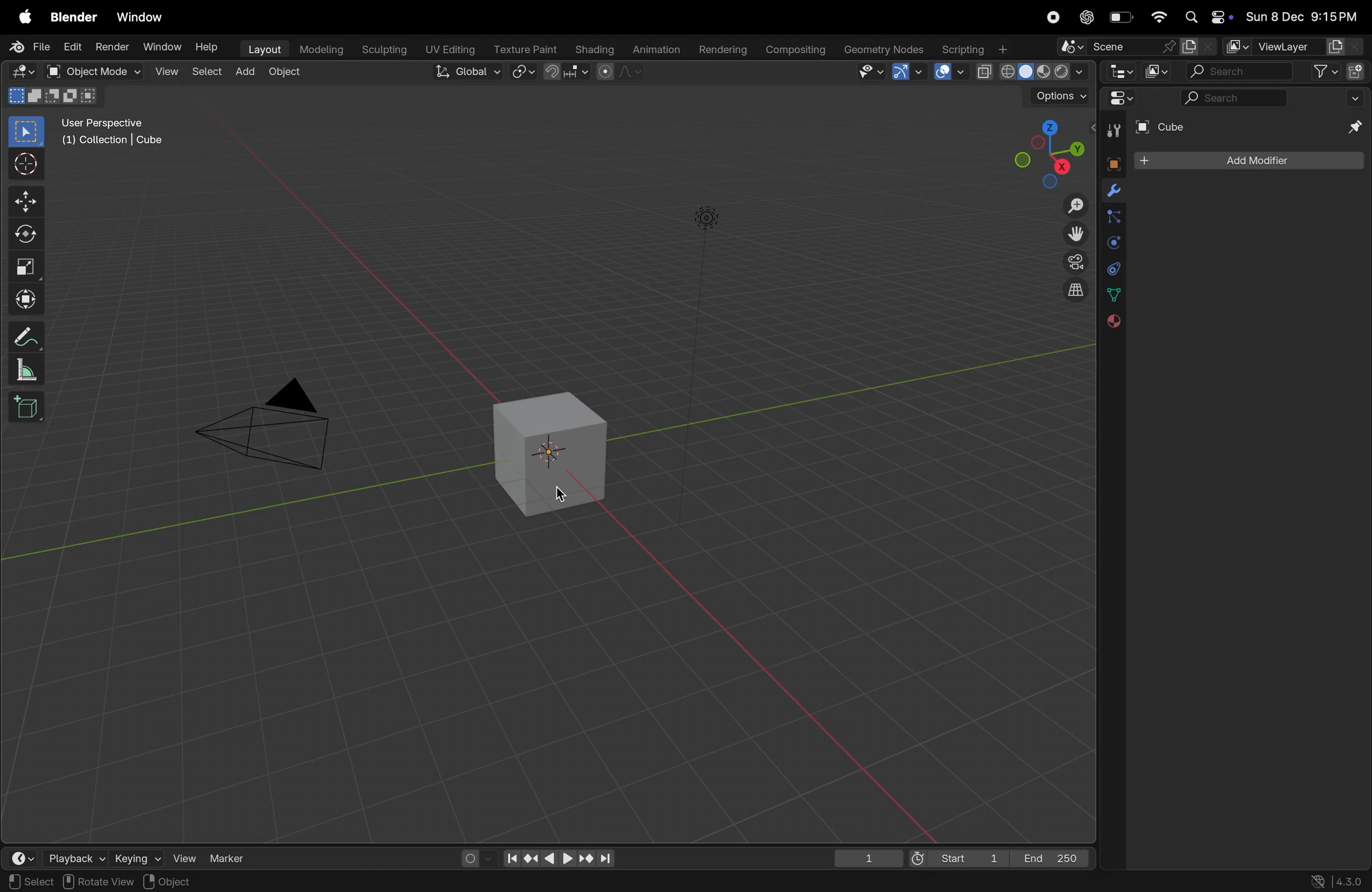 The height and width of the screenshot is (892, 1372). I want to click on use collection cube, so click(111, 144).